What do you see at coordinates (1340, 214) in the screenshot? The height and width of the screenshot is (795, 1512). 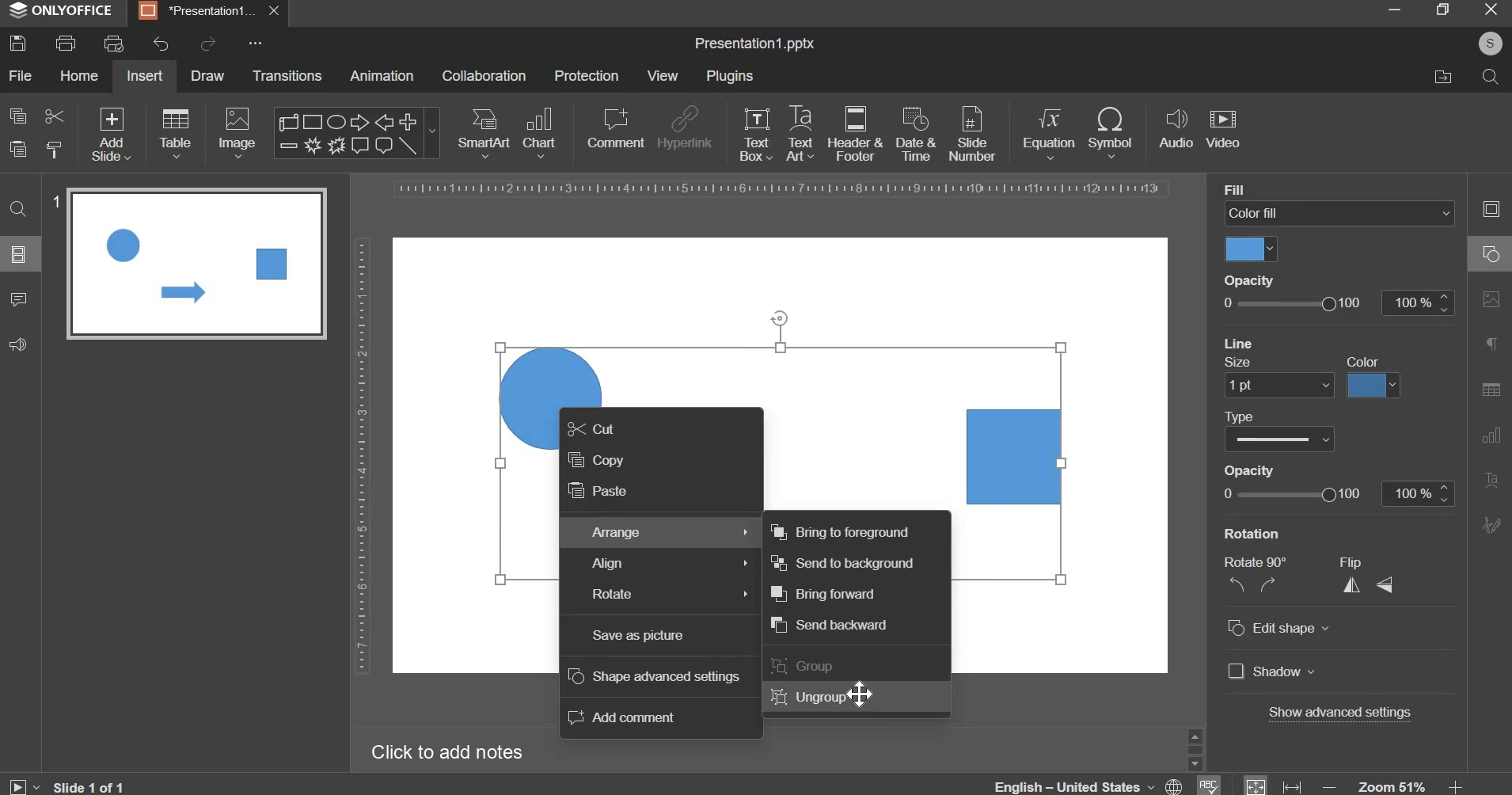 I see `background fill` at bounding box center [1340, 214].